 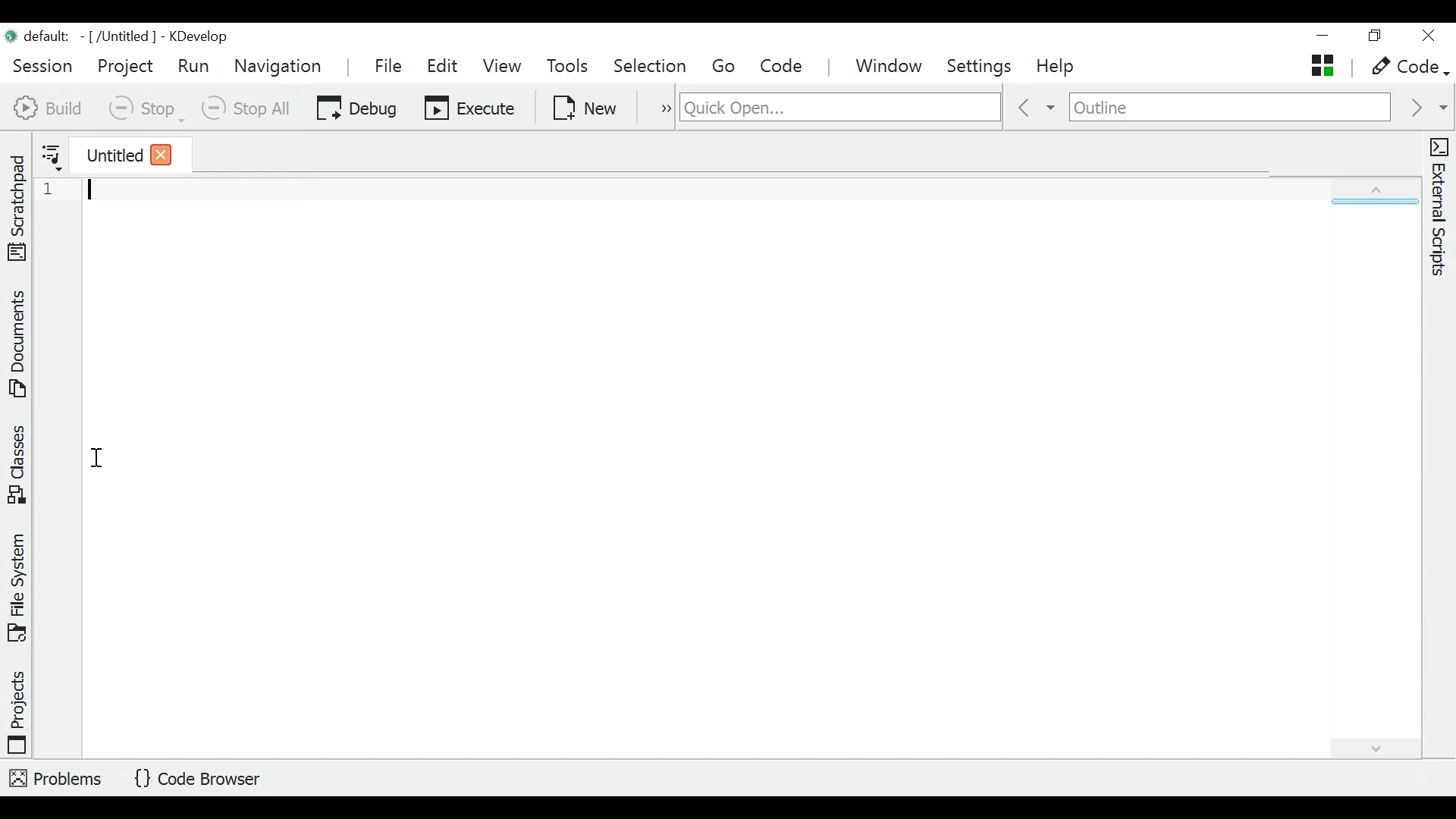 I want to click on code, so click(x=1405, y=69).